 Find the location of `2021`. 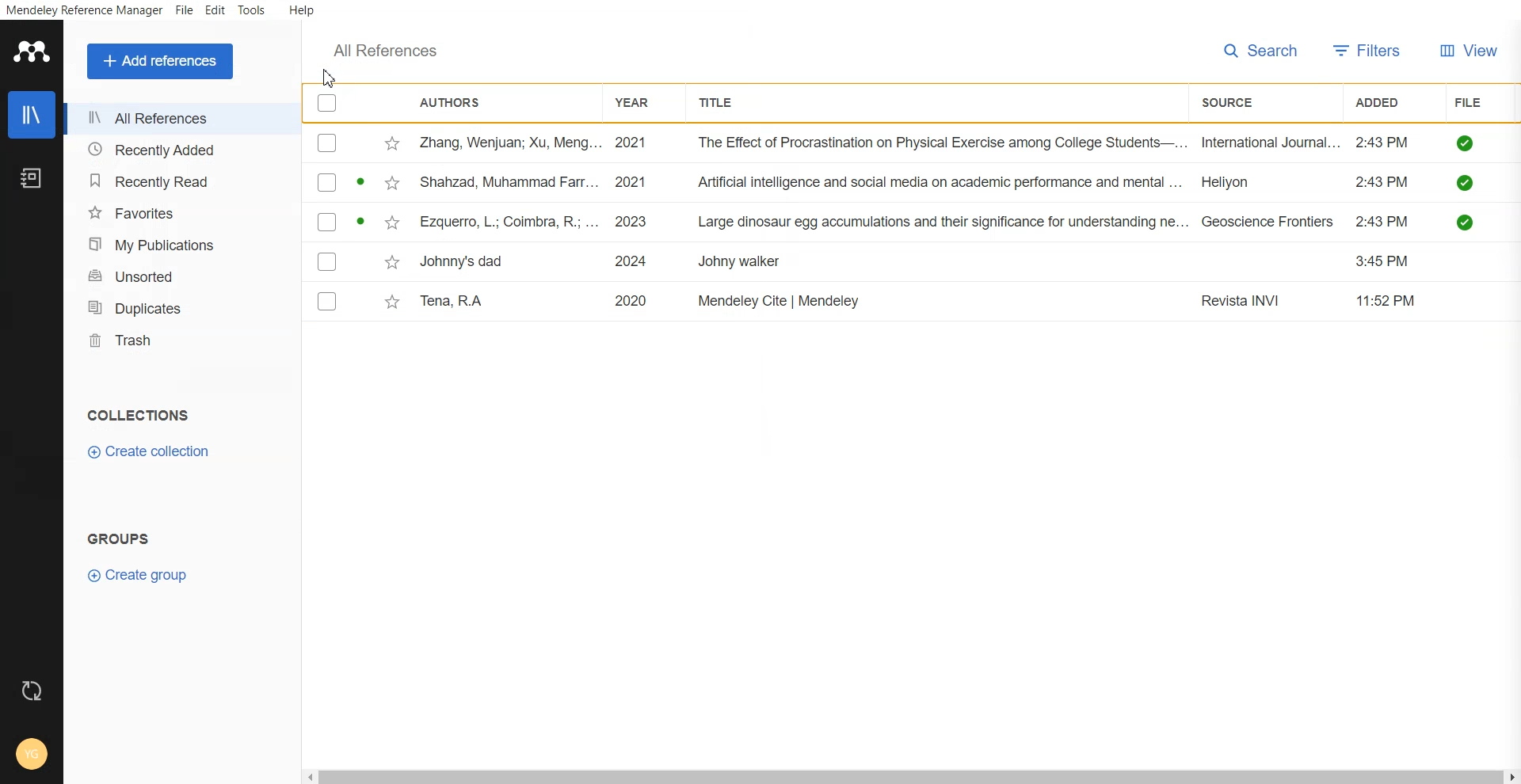

2021 is located at coordinates (632, 143).